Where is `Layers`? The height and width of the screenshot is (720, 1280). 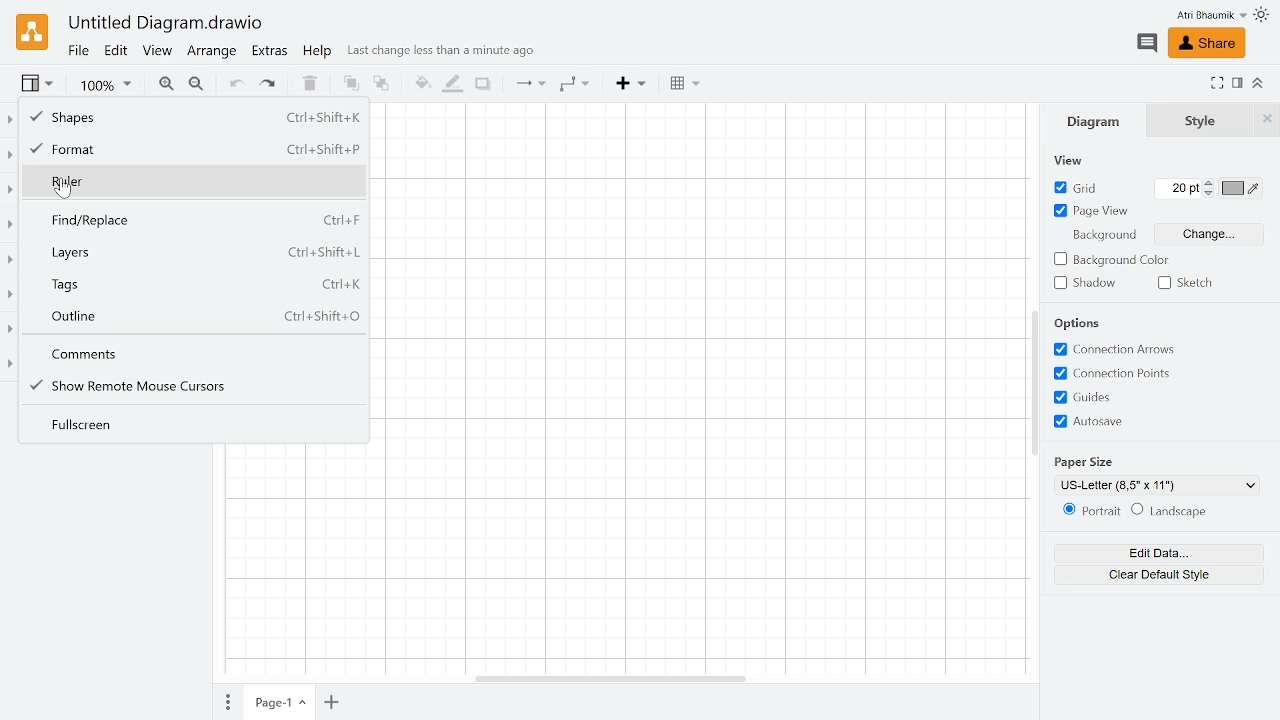
Layers is located at coordinates (184, 250).